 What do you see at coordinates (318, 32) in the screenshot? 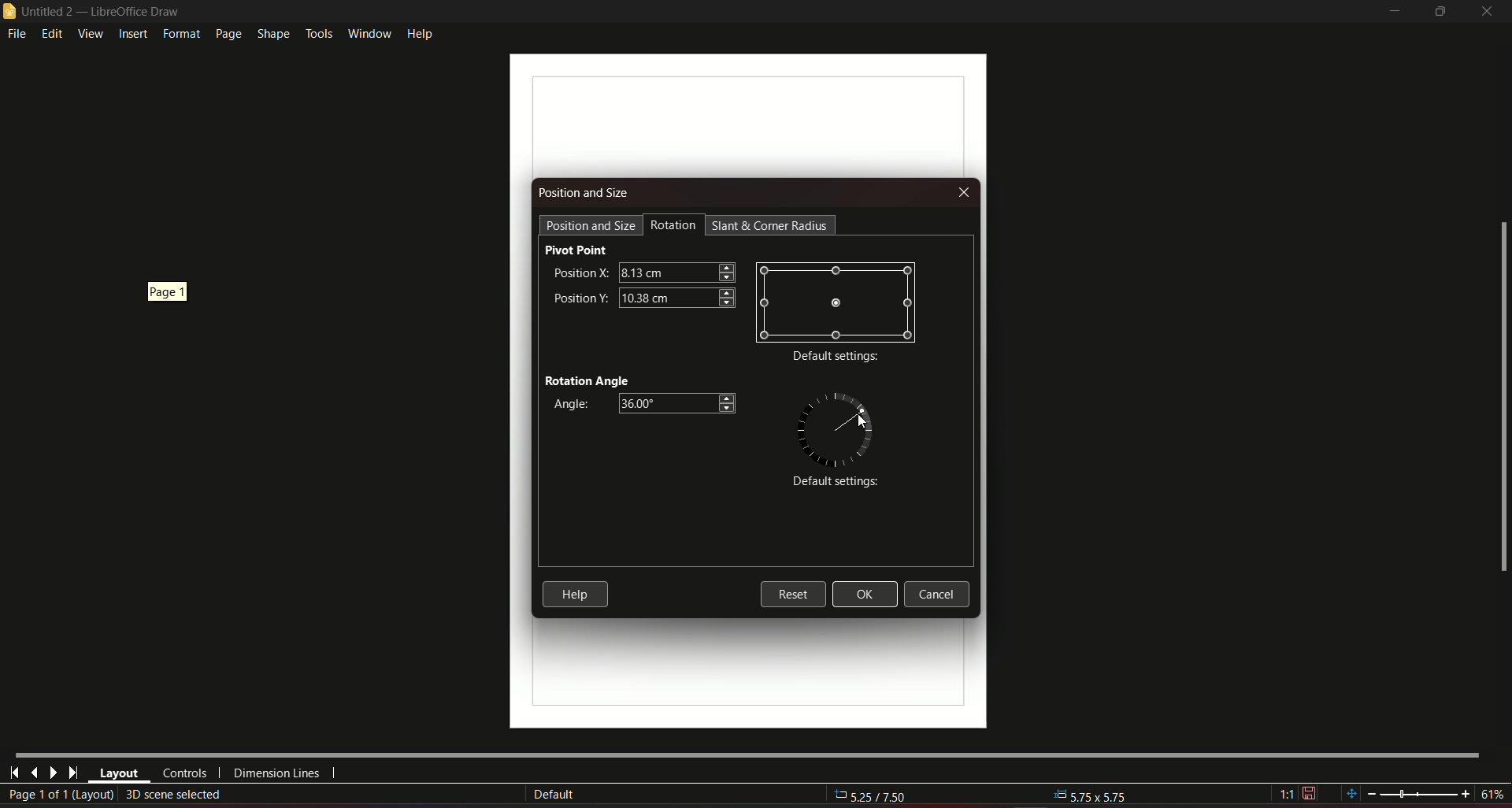
I see `tools` at bounding box center [318, 32].